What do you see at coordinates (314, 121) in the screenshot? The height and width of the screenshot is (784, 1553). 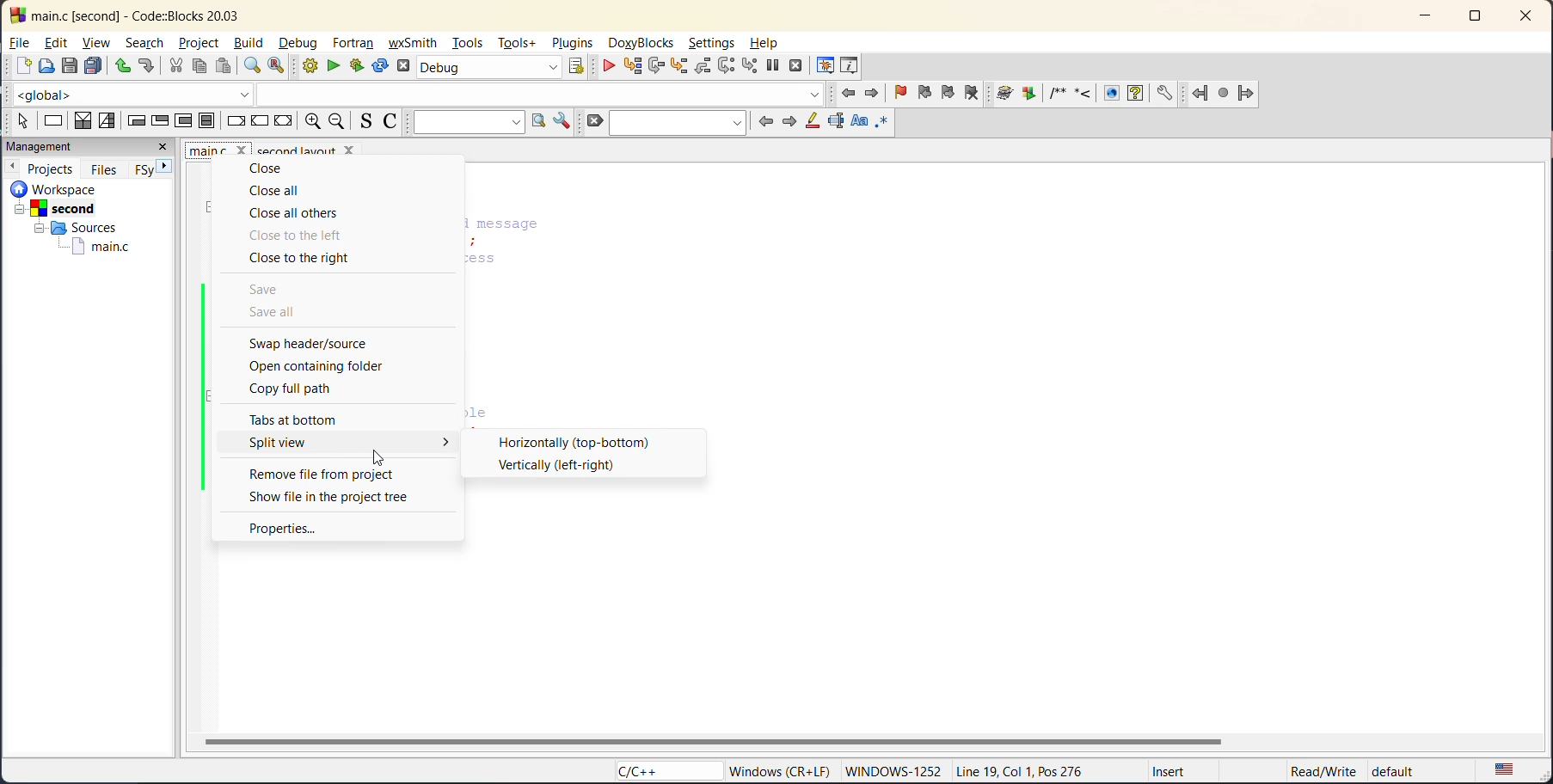 I see `zoom in` at bounding box center [314, 121].